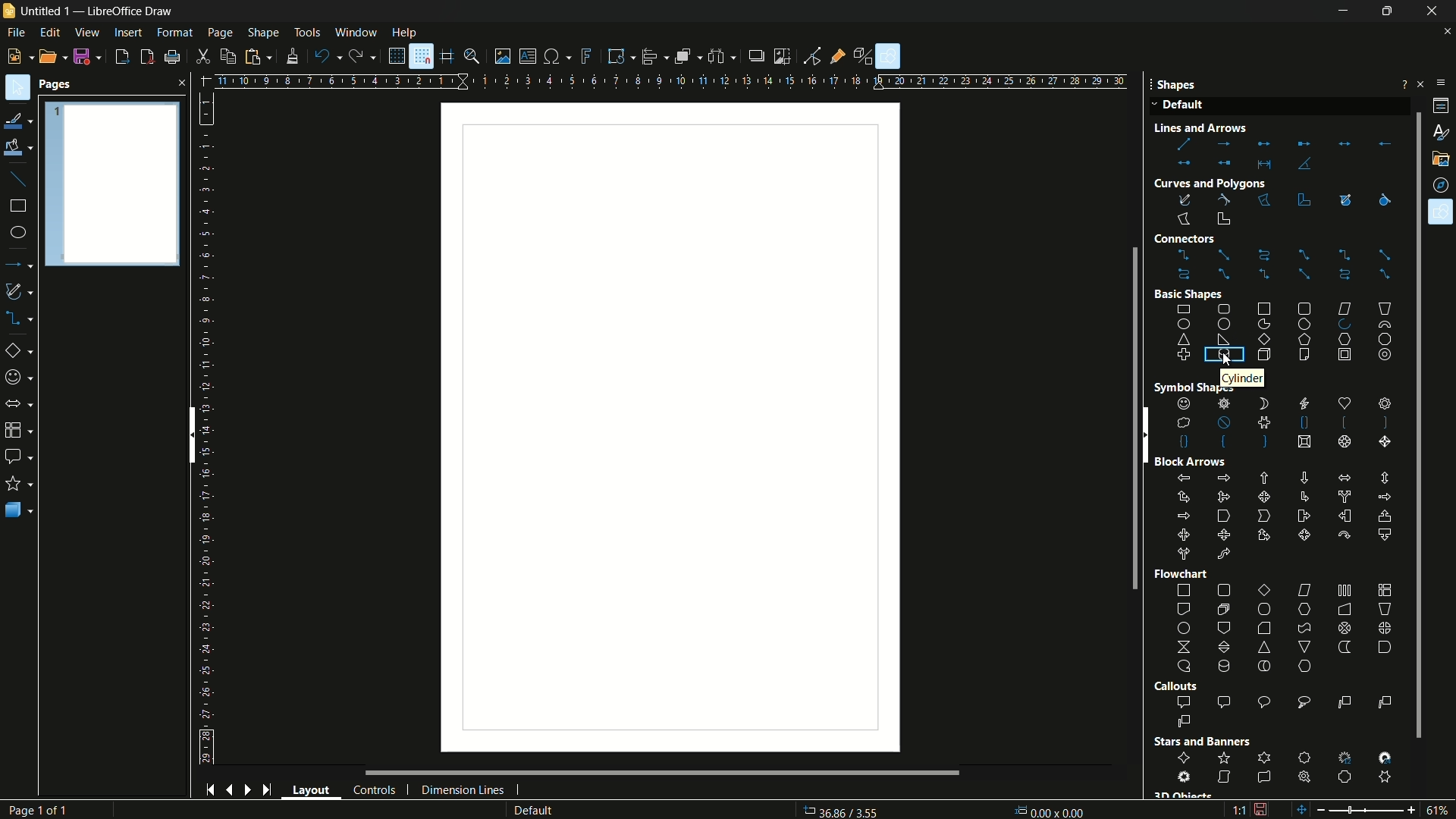 This screenshot has width=1456, height=819. Describe the element at coordinates (18, 57) in the screenshot. I see `new file` at that location.